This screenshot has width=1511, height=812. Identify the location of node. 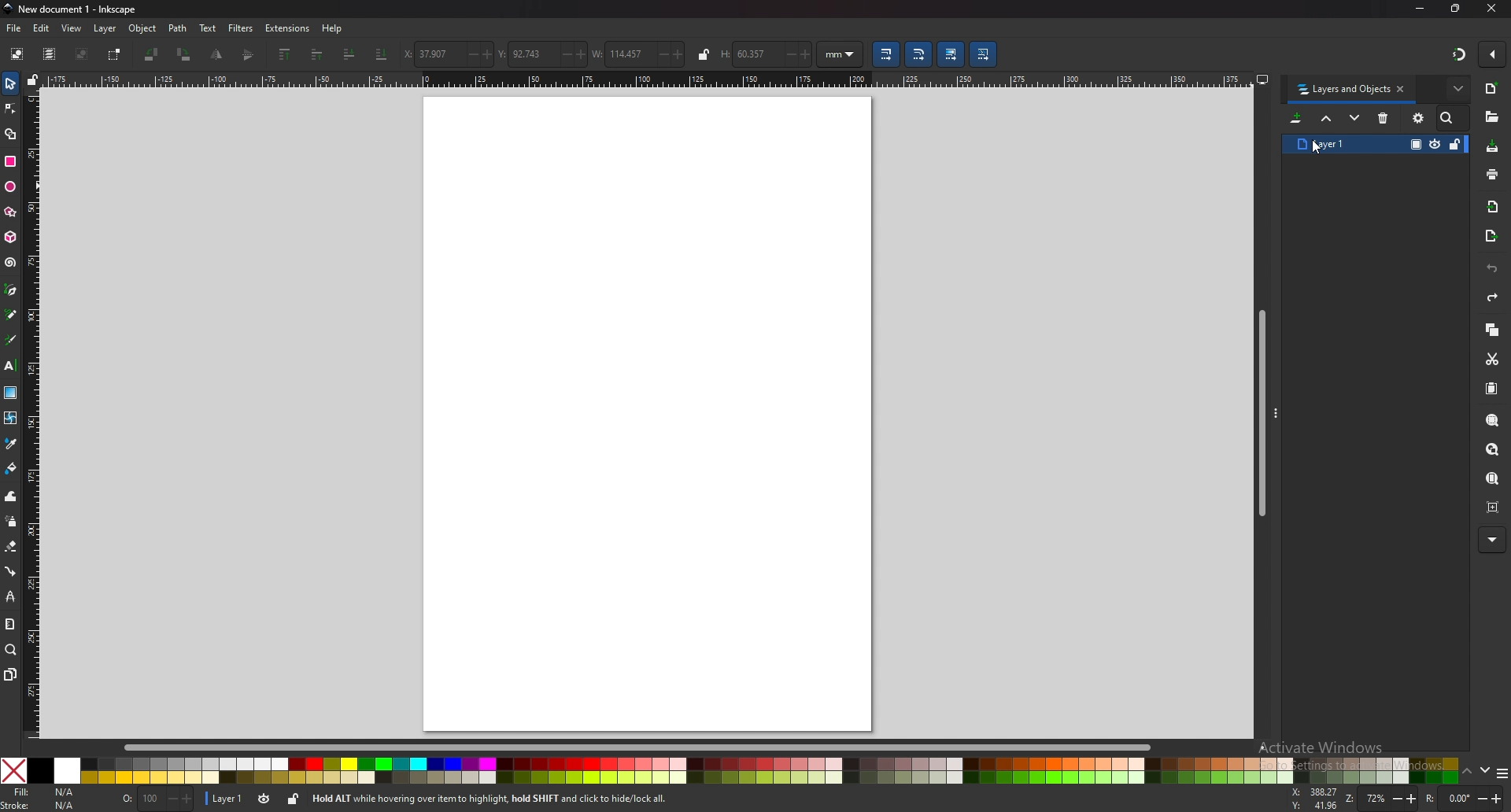
(11, 109).